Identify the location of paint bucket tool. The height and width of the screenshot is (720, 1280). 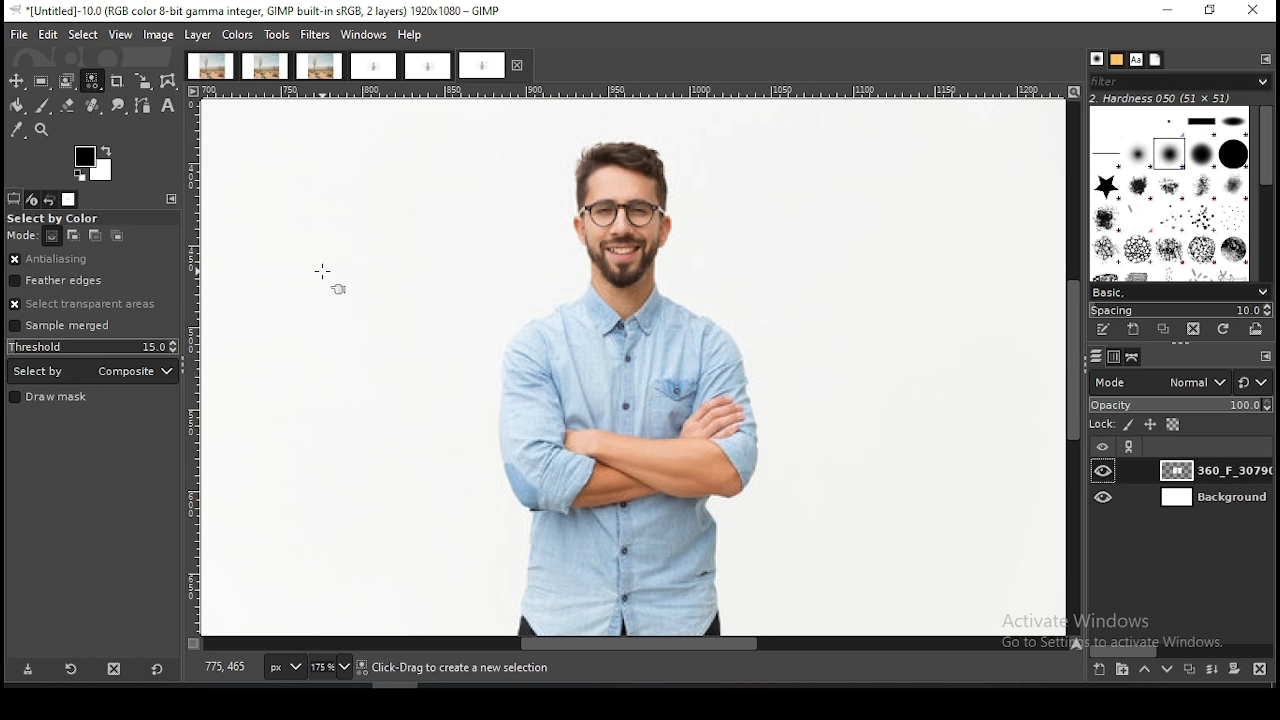
(15, 106).